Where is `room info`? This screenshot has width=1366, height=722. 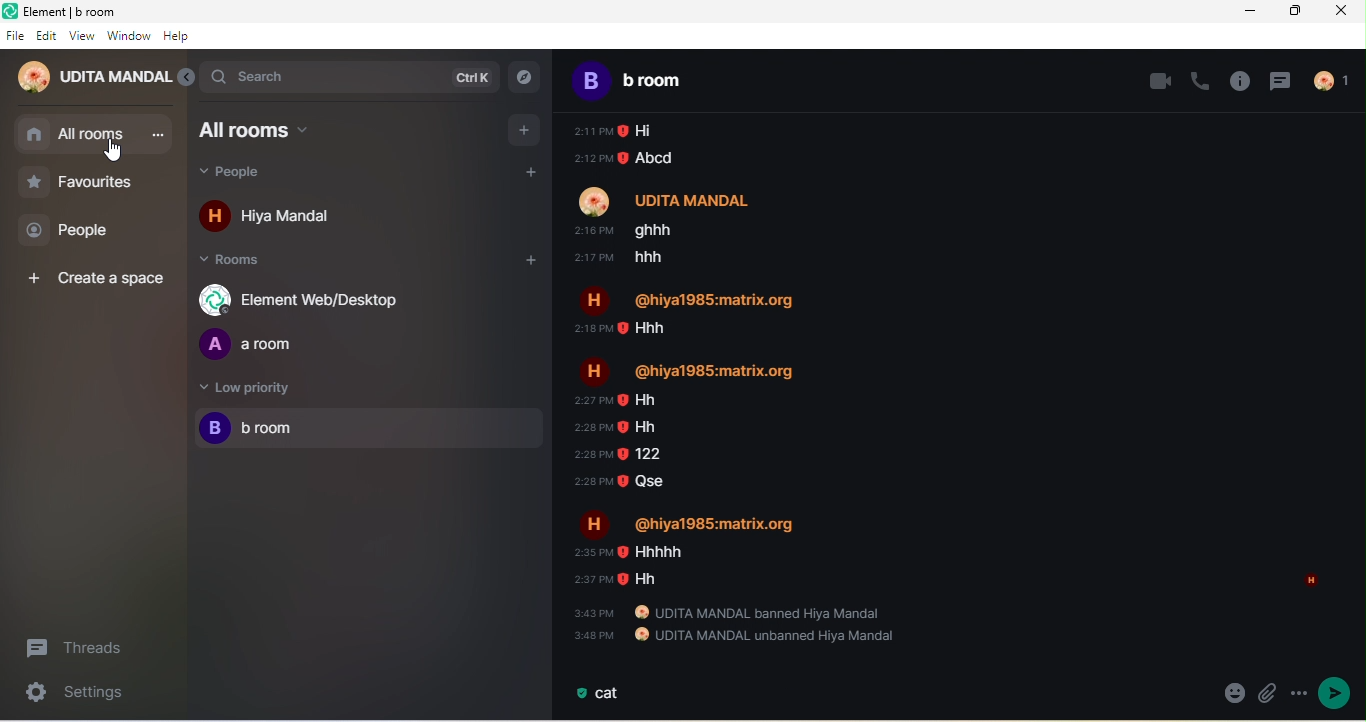 room info is located at coordinates (1241, 81).